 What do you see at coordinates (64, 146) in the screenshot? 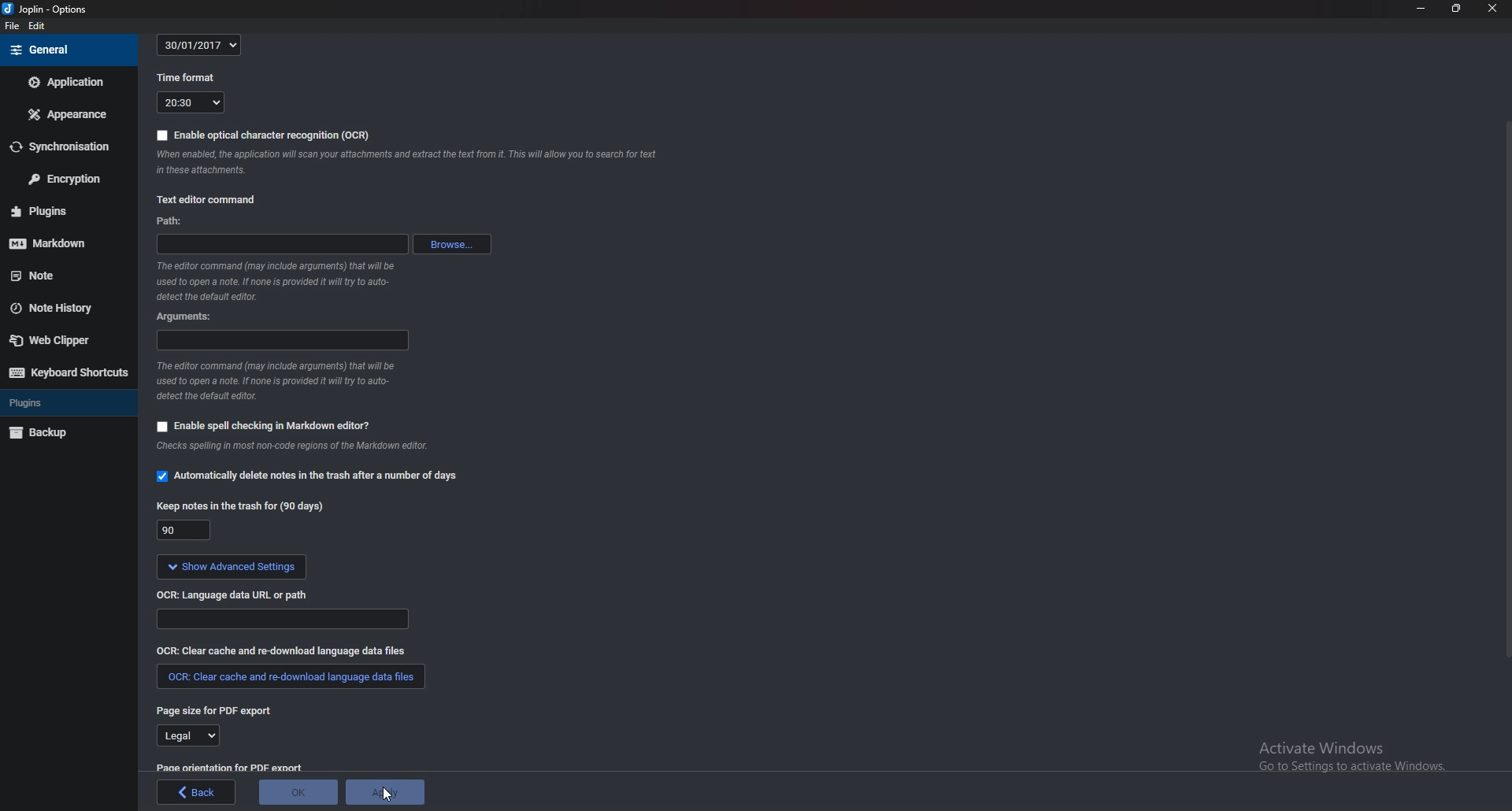
I see `Synchronization` at bounding box center [64, 146].